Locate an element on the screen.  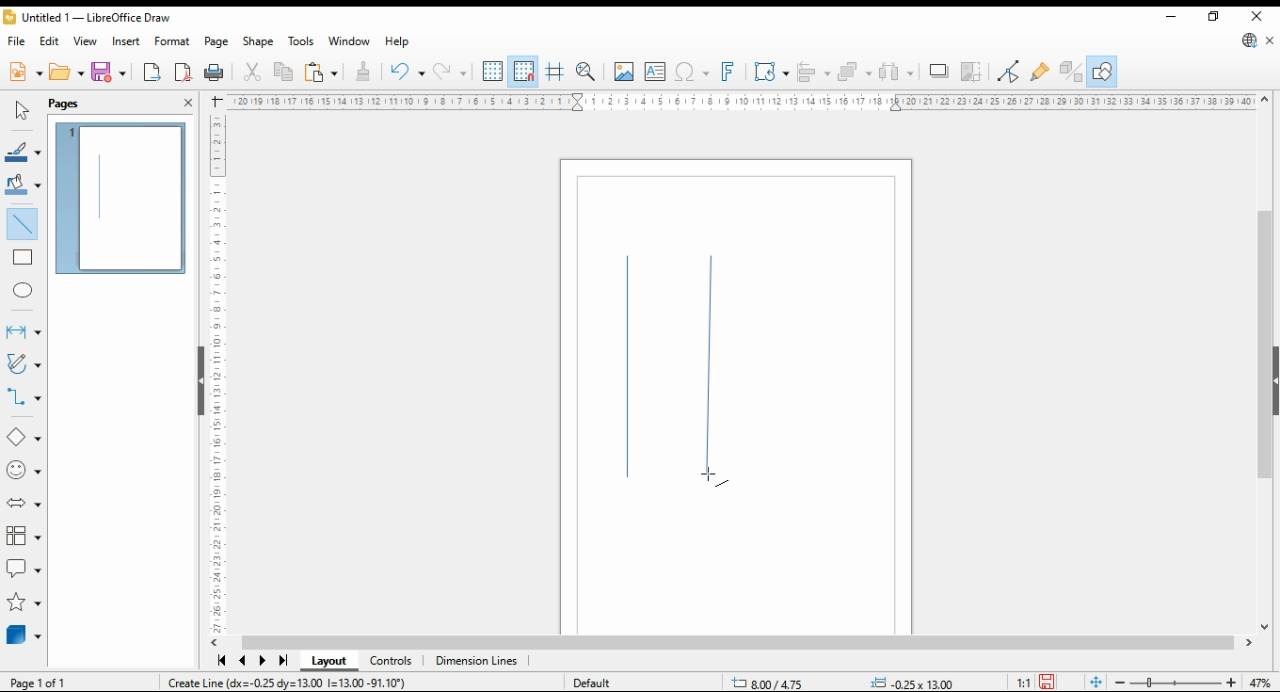
previous page is located at coordinates (244, 662).